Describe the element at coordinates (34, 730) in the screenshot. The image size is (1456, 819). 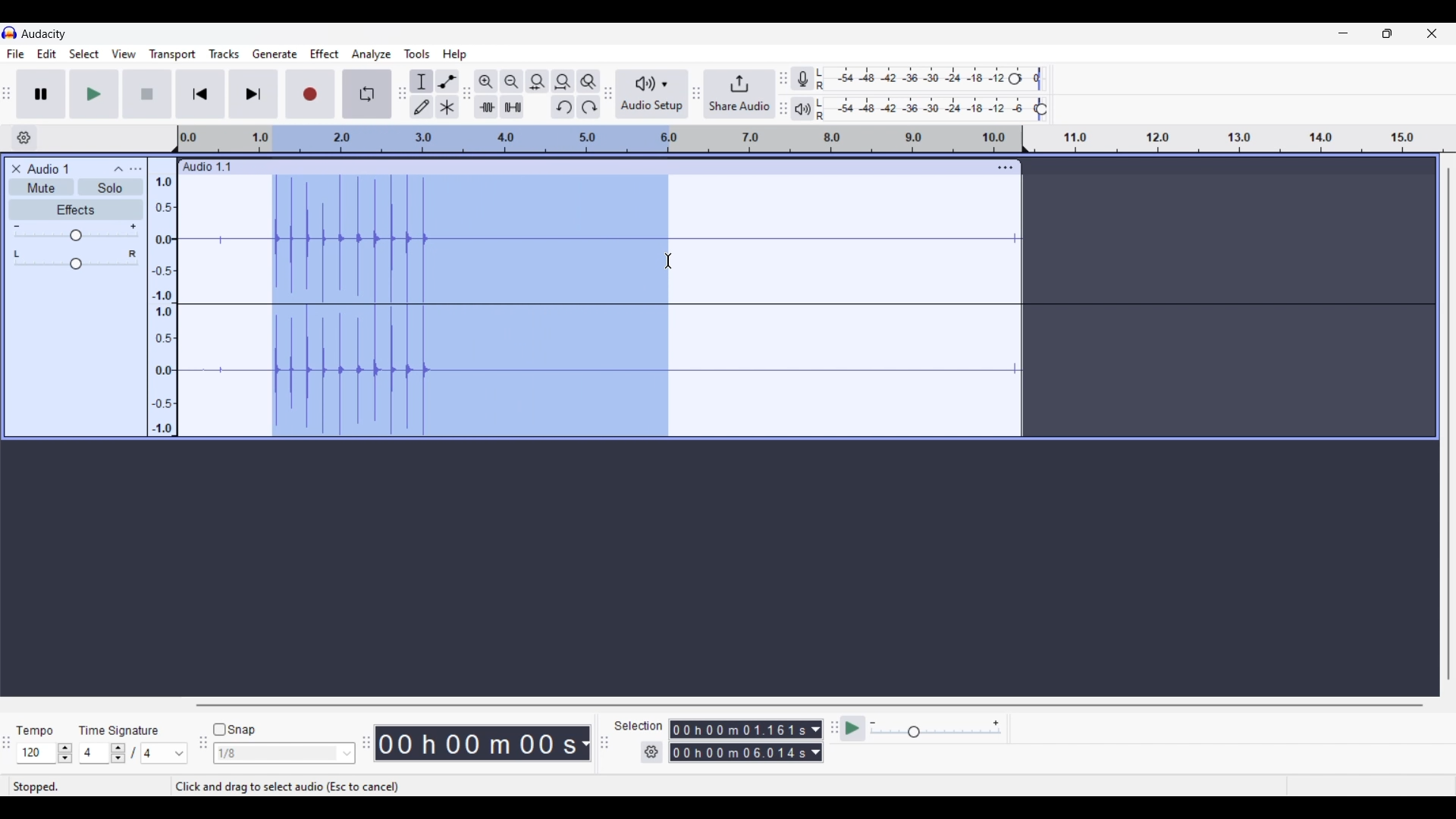
I see `Tempo` at that location.